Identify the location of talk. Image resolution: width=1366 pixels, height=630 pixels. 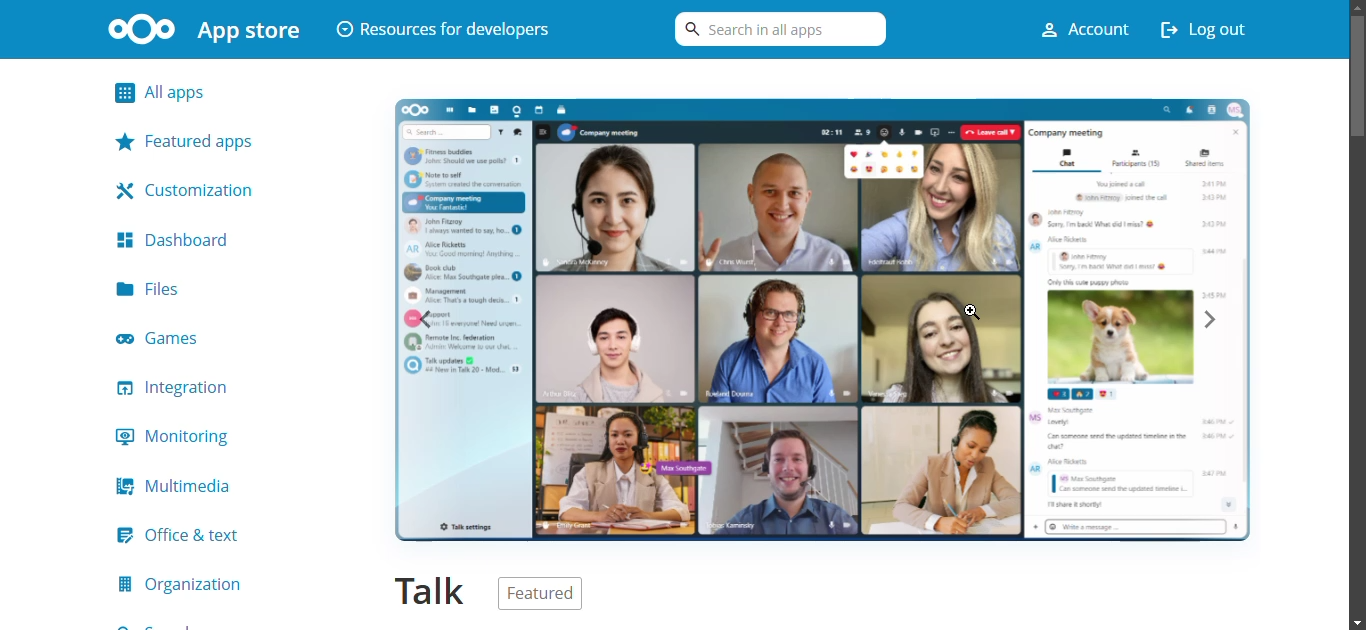
(426, 588).